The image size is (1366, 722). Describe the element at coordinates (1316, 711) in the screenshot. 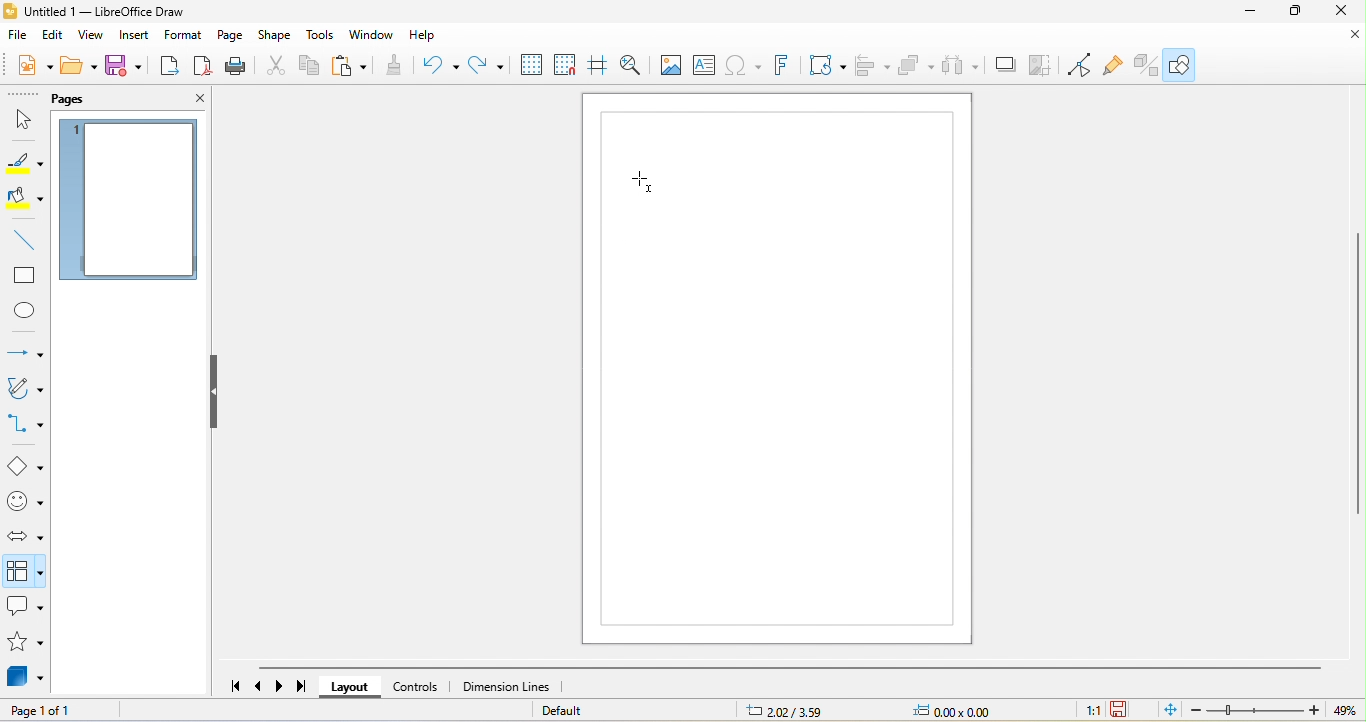

I see `Zoom in ` at that location.